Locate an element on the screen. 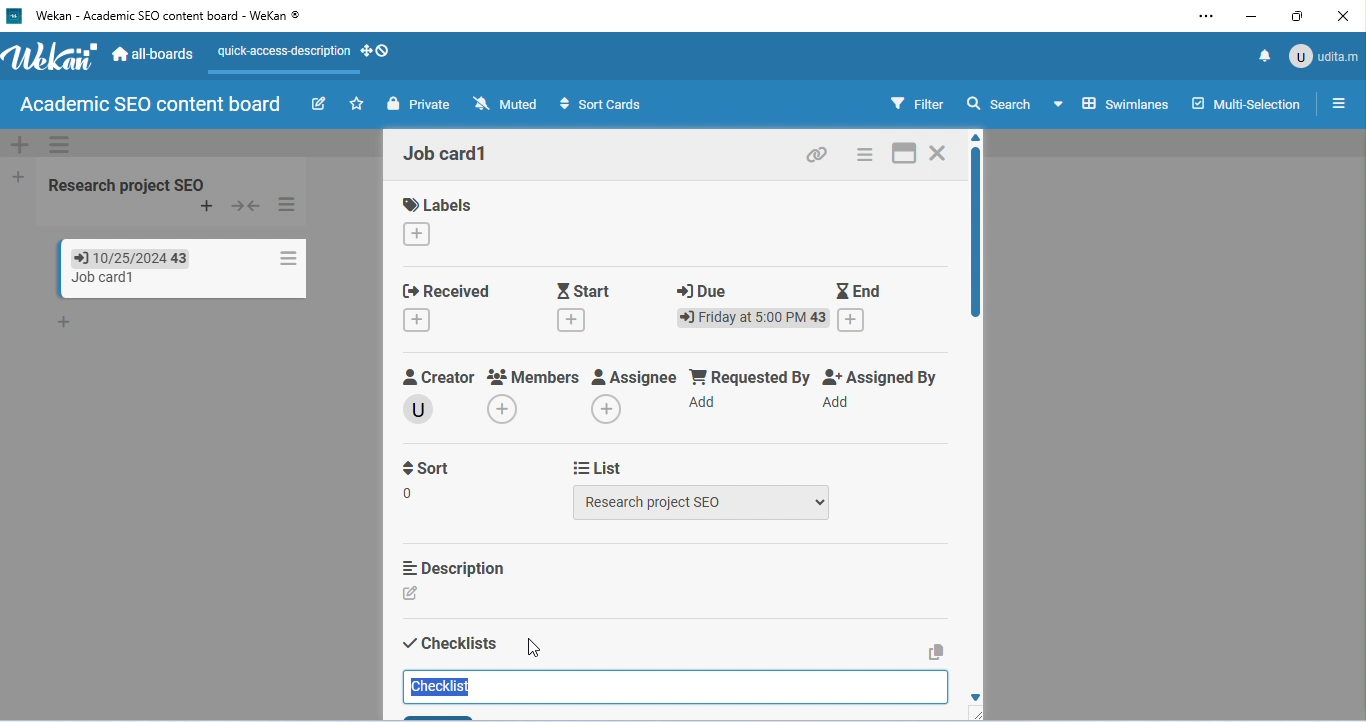 The width and height of the screenshot is (1366, 722). description is located at coordinates (452, 568).